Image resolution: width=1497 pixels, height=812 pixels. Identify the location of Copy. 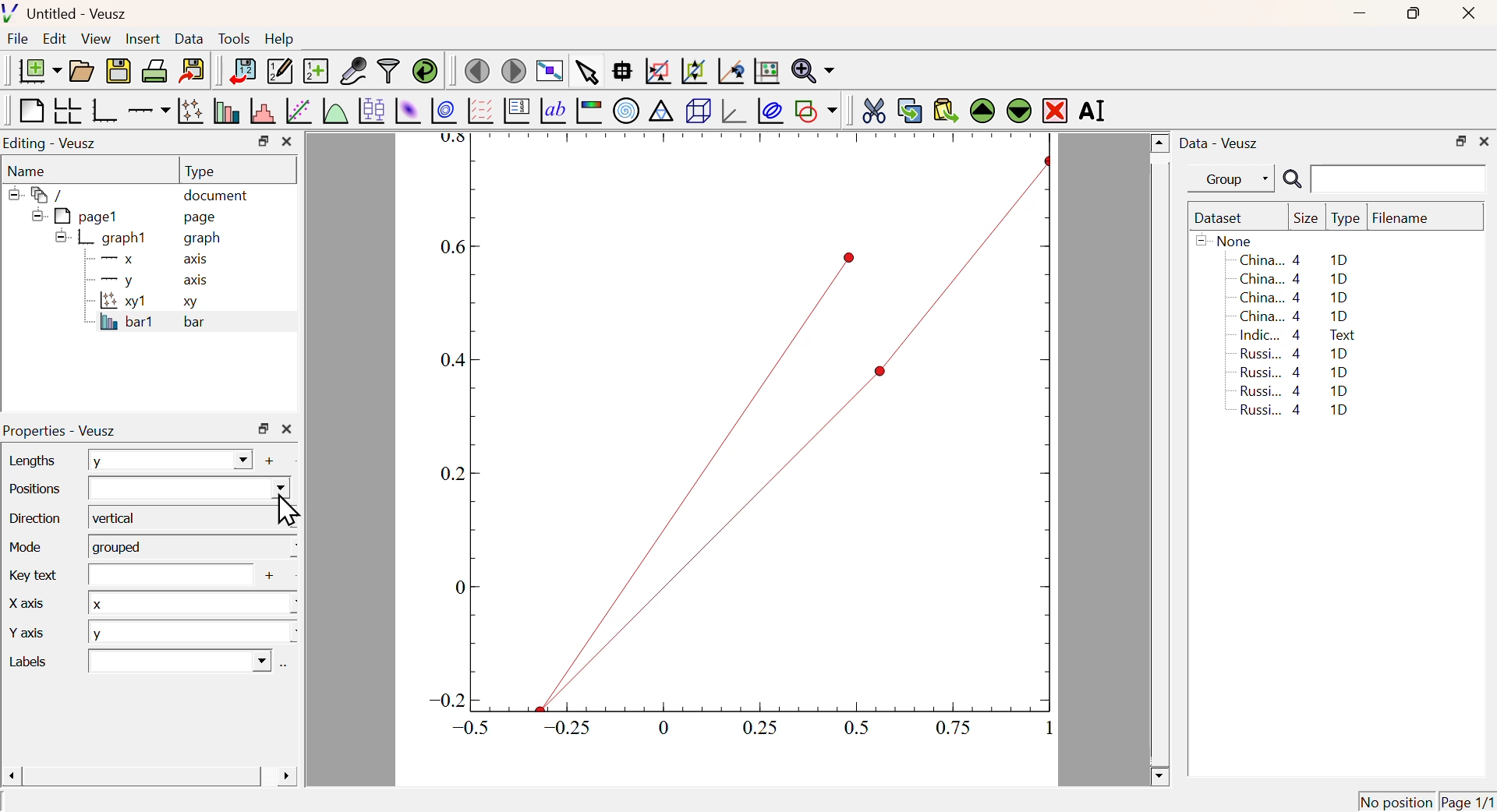
(909, 111).